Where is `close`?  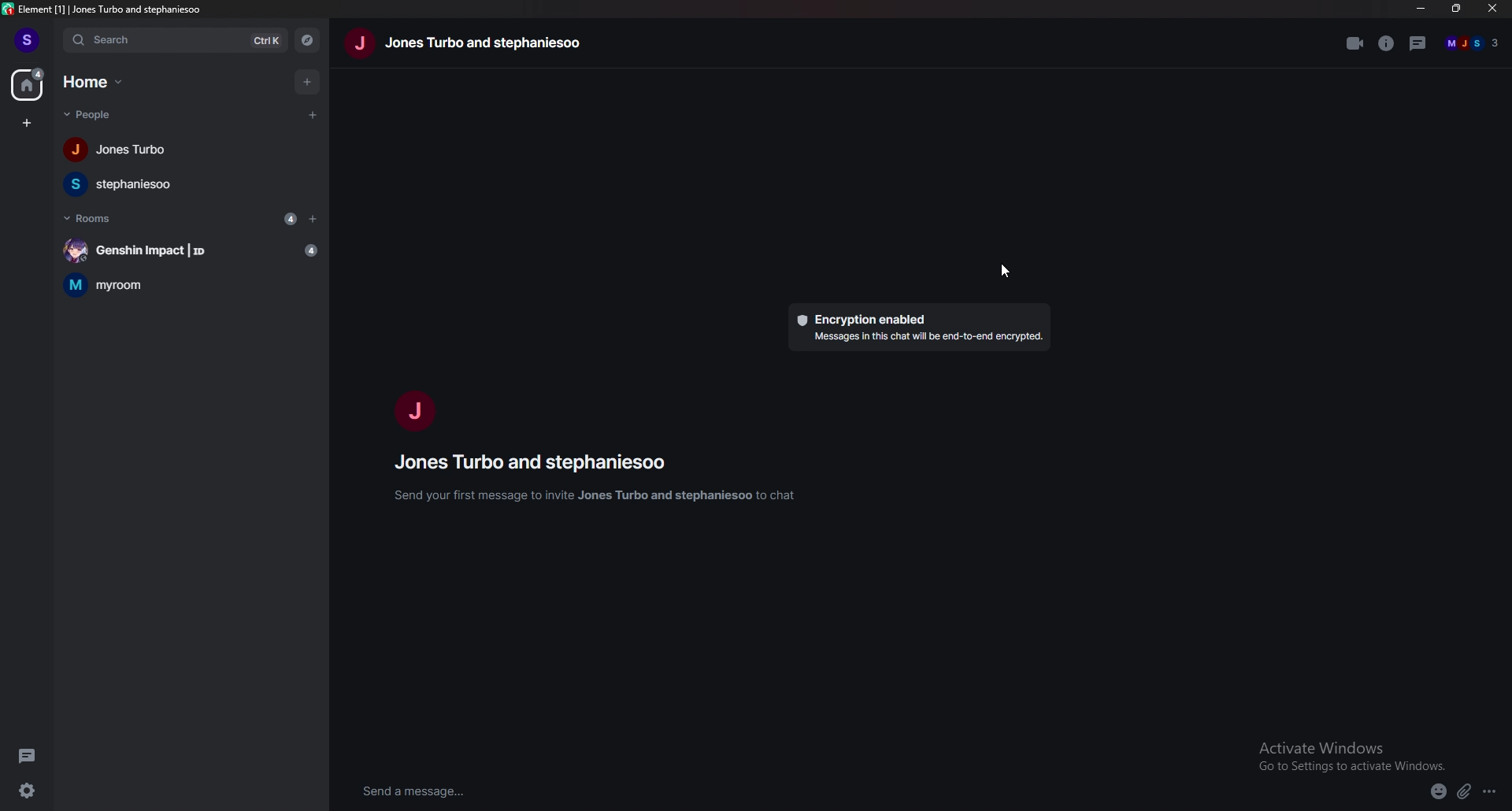
close is located at coordinates (1491, 8).